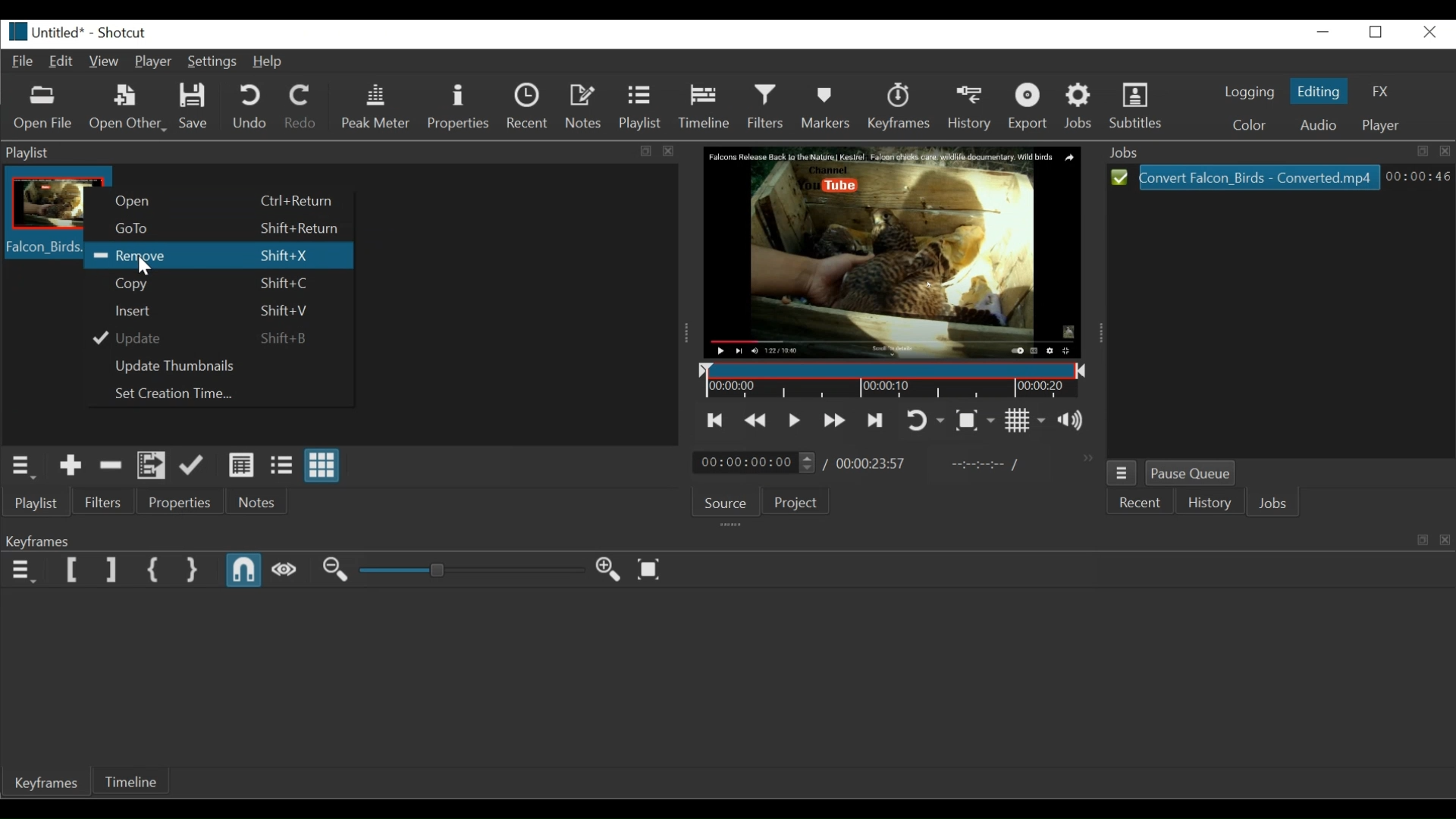  I want to click on Add to the playlist, so click(71, 467).